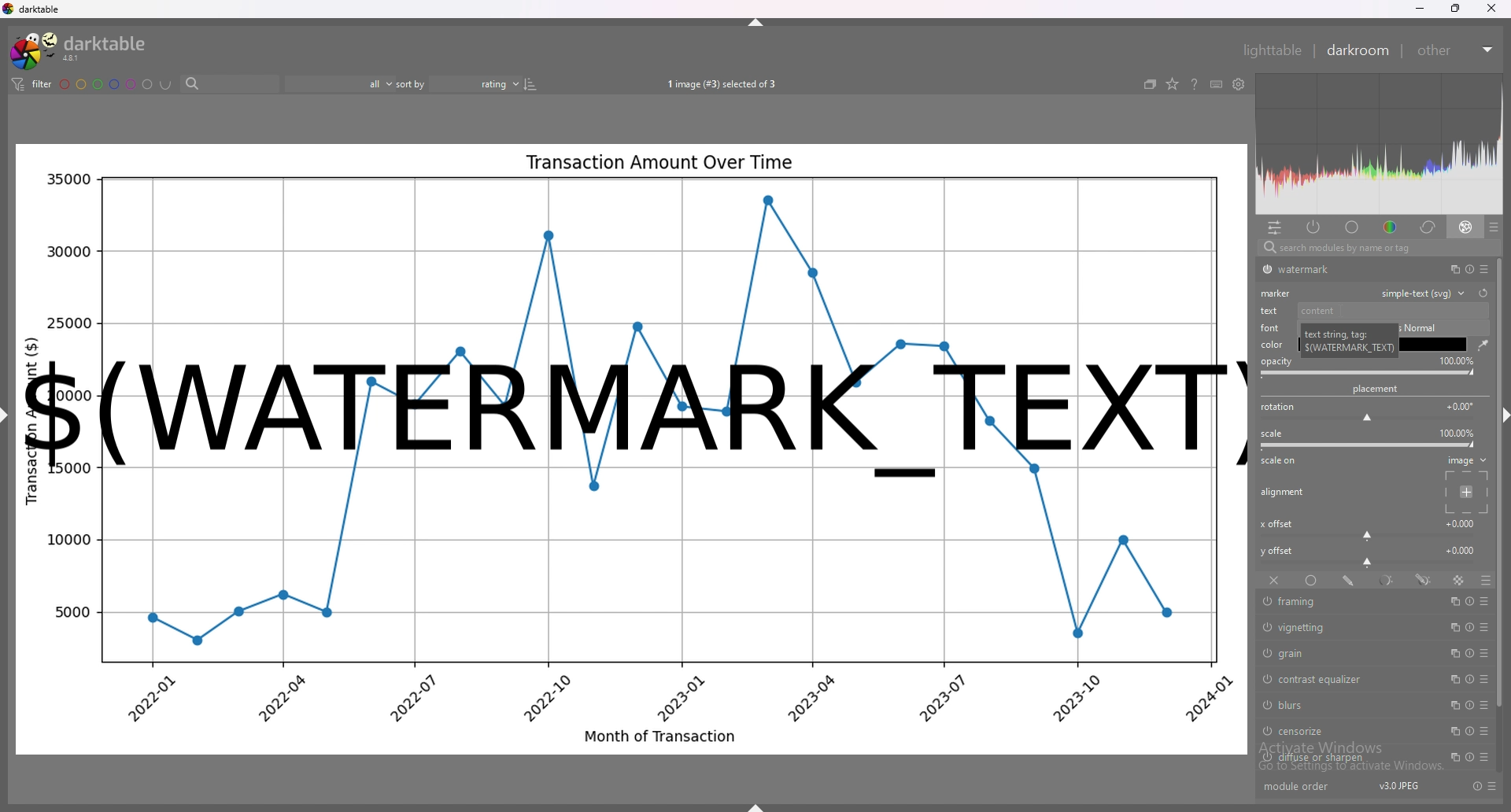  What do you see at coordinates (1273, 581) in the screenshot?
I see `off` at bounding box center [1273, 581].